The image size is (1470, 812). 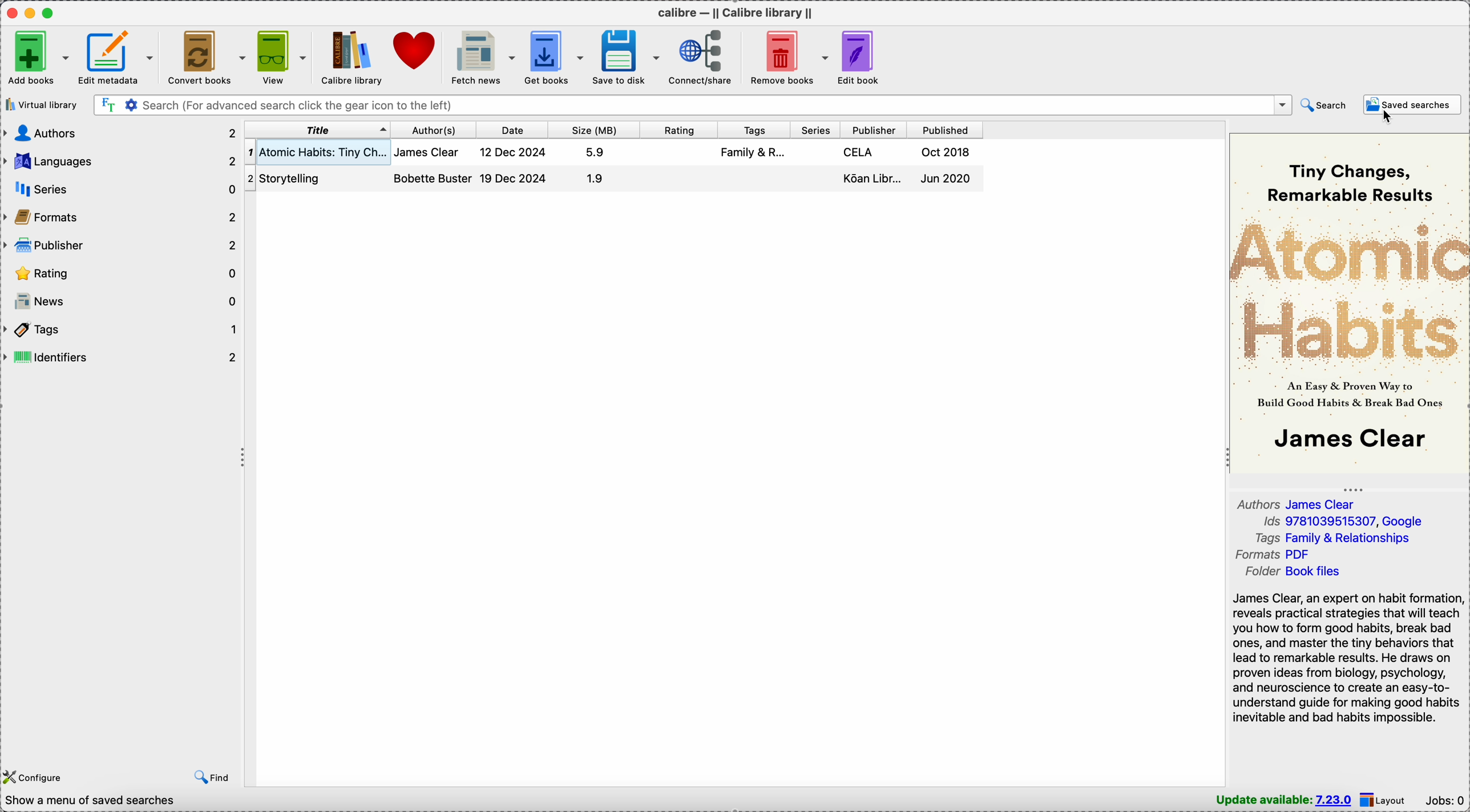 What do you see at coordinates (516, 165) in the screenshot?
I see `date` at bounding box center [516, 165].